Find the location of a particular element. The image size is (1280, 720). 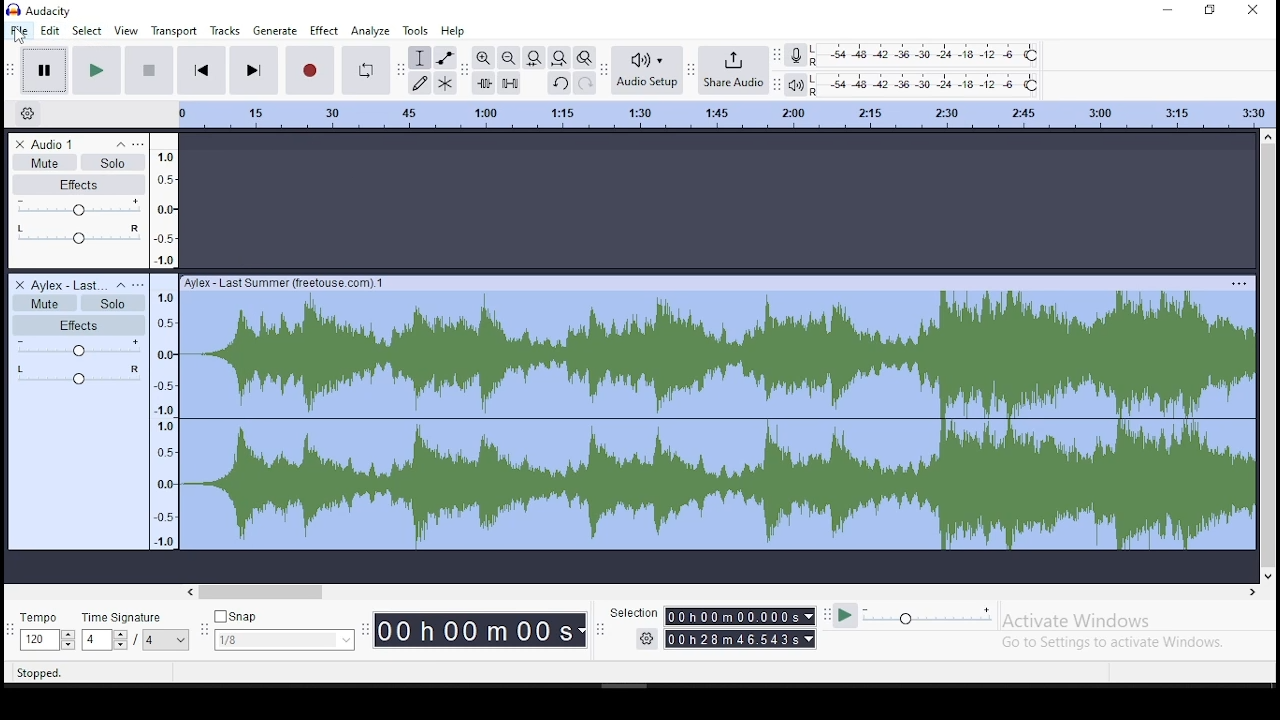

solo is located at coordinates (114, 162).